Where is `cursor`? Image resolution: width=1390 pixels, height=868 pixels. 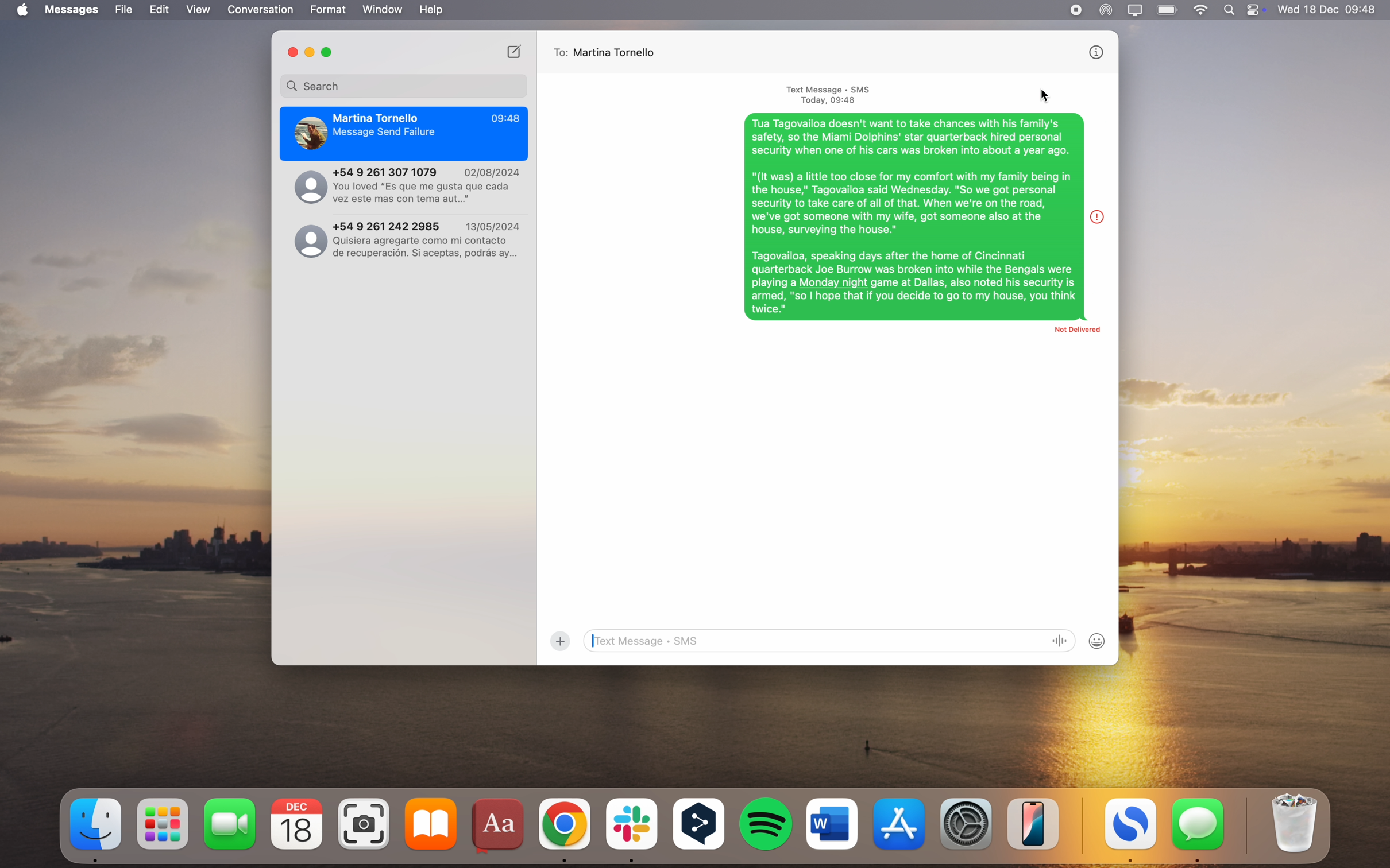
cursor is located at coordinates (1044, 95).